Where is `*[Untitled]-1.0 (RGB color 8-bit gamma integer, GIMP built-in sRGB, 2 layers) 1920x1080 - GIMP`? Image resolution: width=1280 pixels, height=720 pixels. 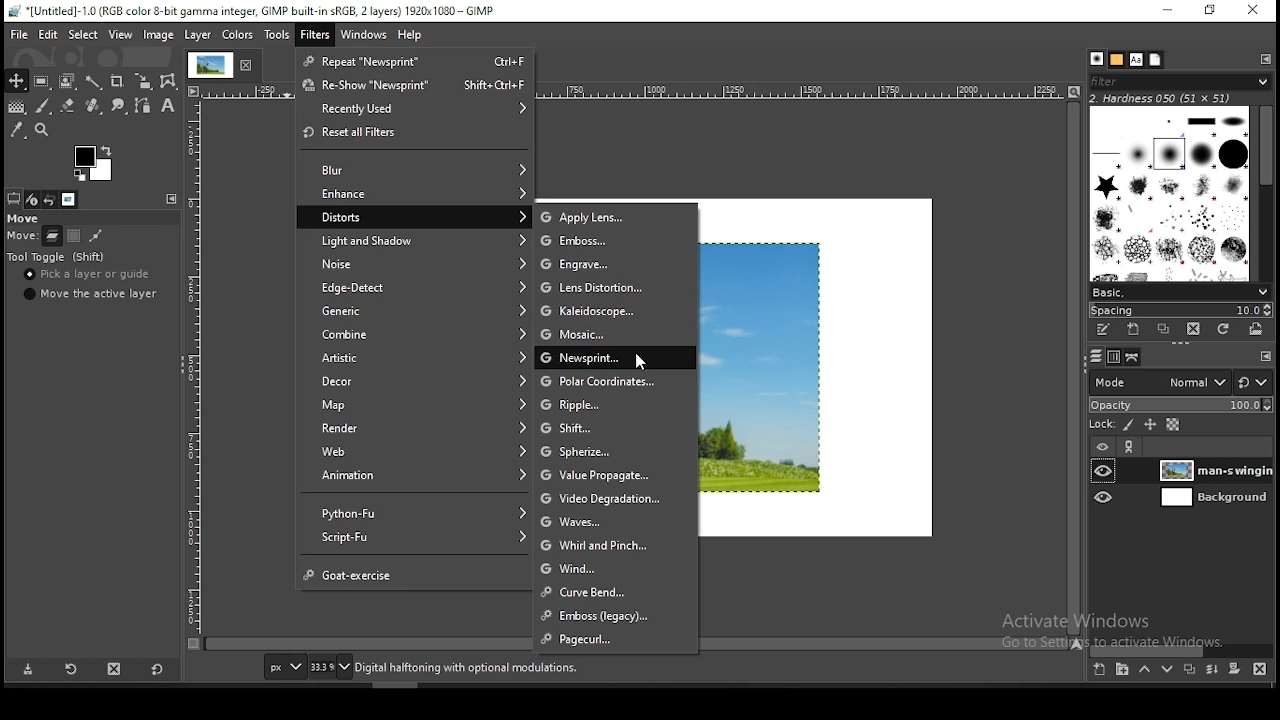 *[Untitled]-1.0 (RGB color 8-bit gamma integer, GIMP built-in sRGB, 2 layers) 1920x1080 - GIMP is located at coordinates (268, 11).